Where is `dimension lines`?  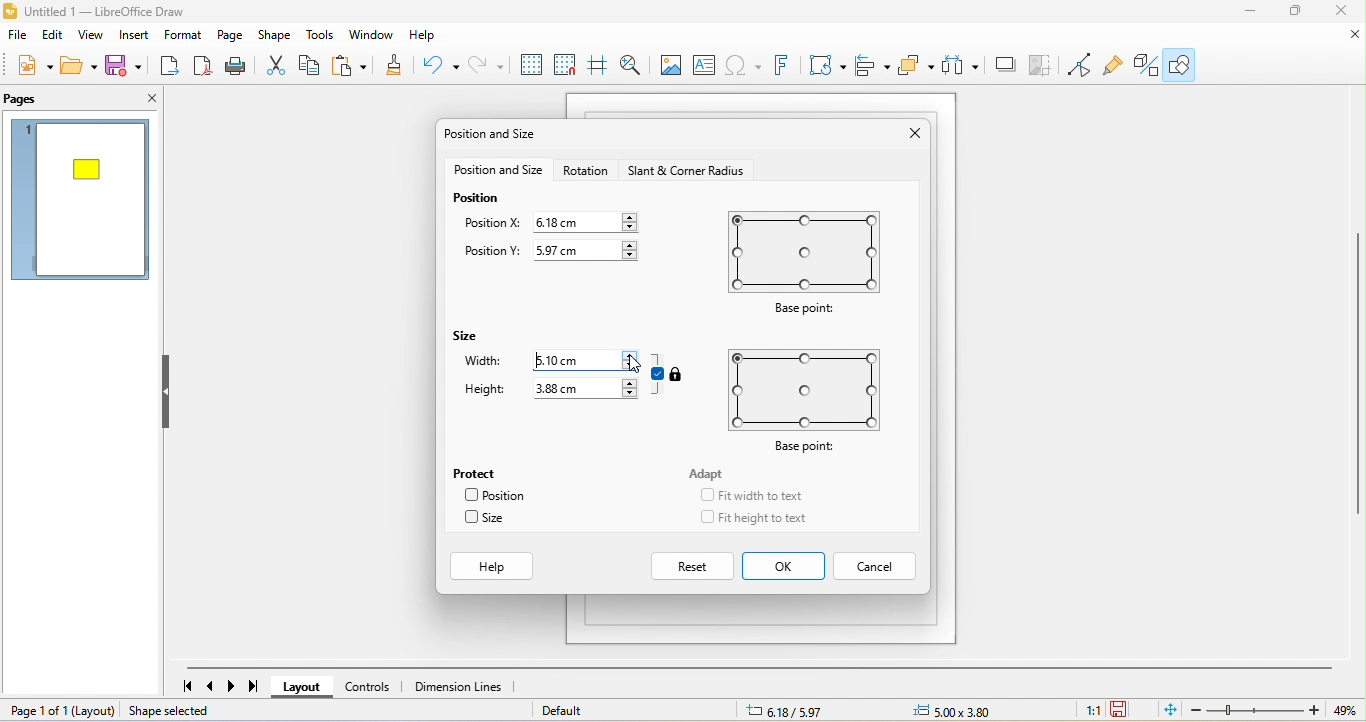
dimension lines is located at coordinates (460, 686).